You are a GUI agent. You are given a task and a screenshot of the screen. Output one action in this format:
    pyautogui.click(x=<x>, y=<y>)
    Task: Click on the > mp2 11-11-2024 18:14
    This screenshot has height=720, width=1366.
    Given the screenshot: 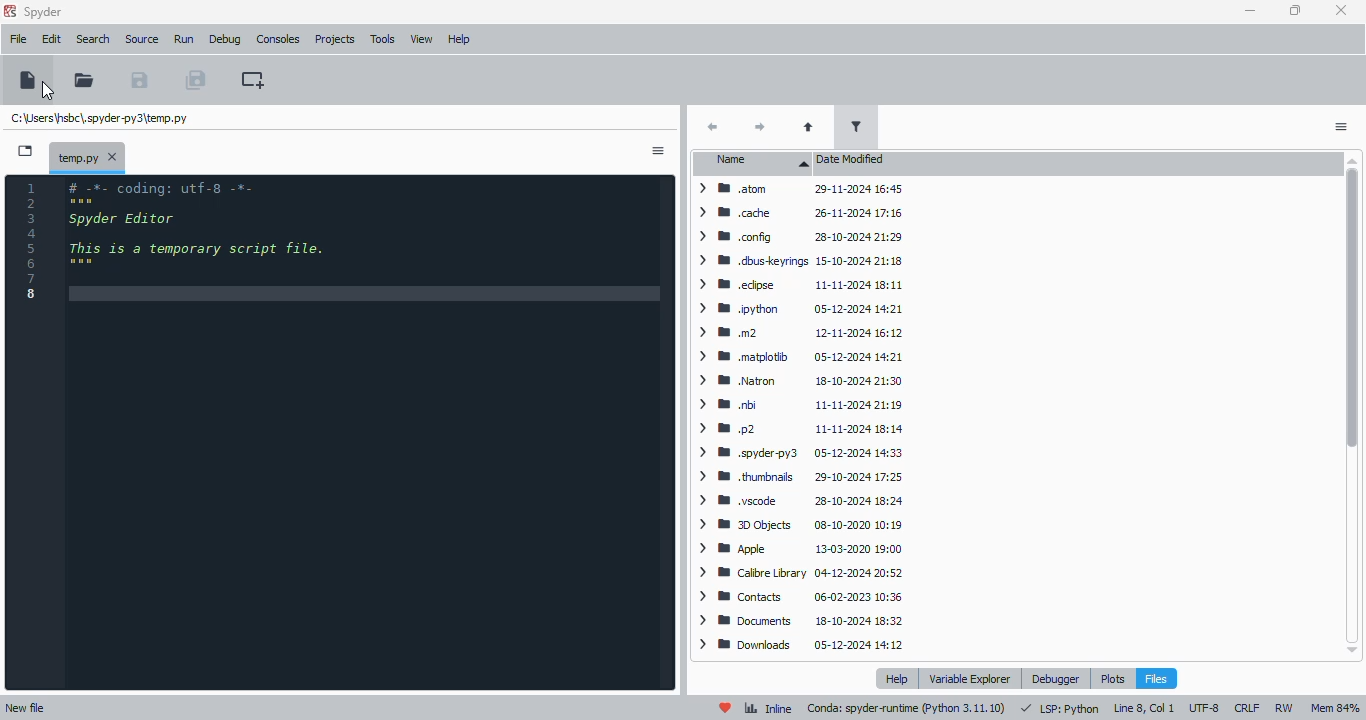 What is the action you would take?
    pyautogui.click(x=797, y=429)
    